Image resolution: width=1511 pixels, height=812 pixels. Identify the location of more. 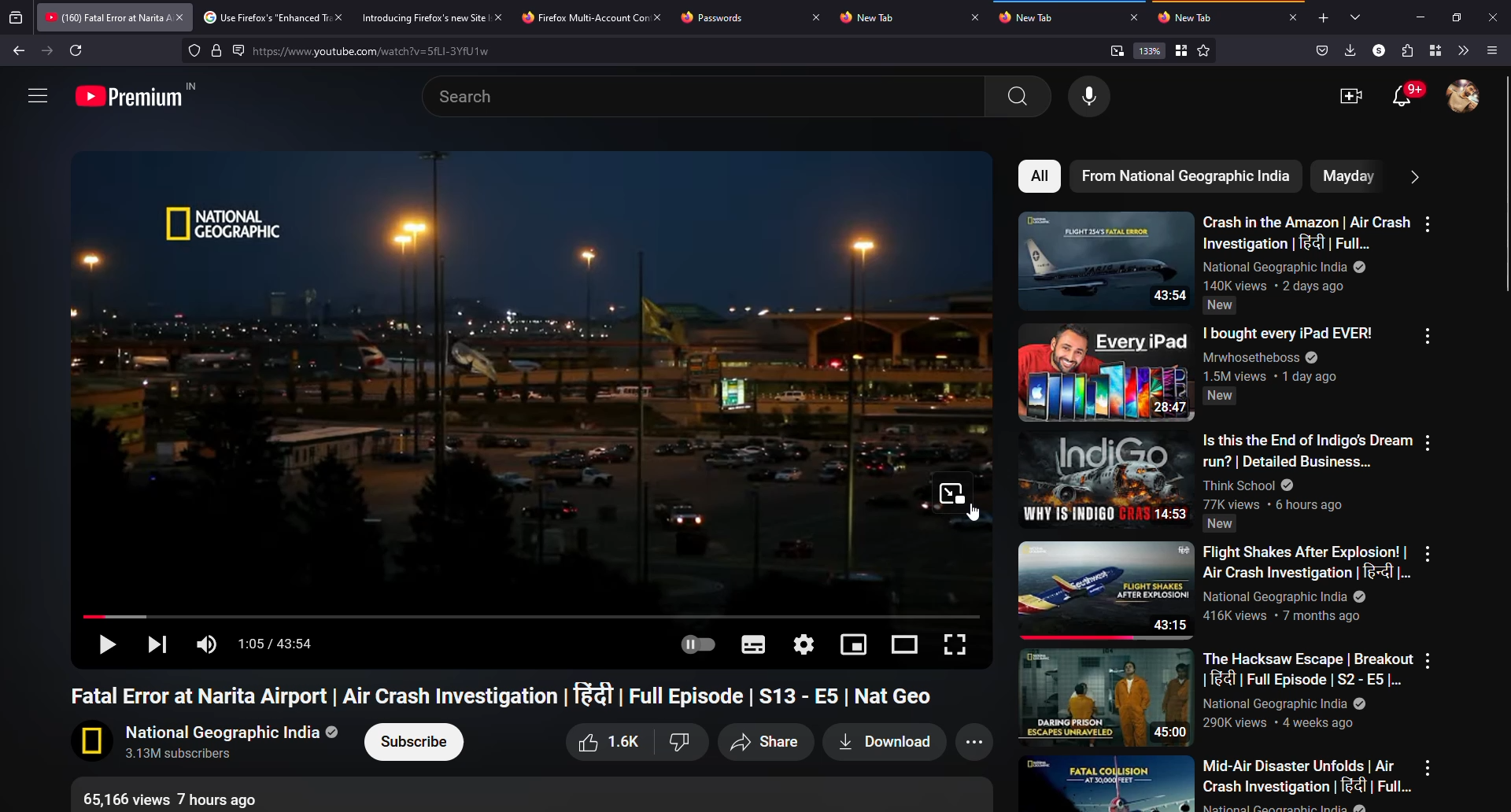
(36, 94).